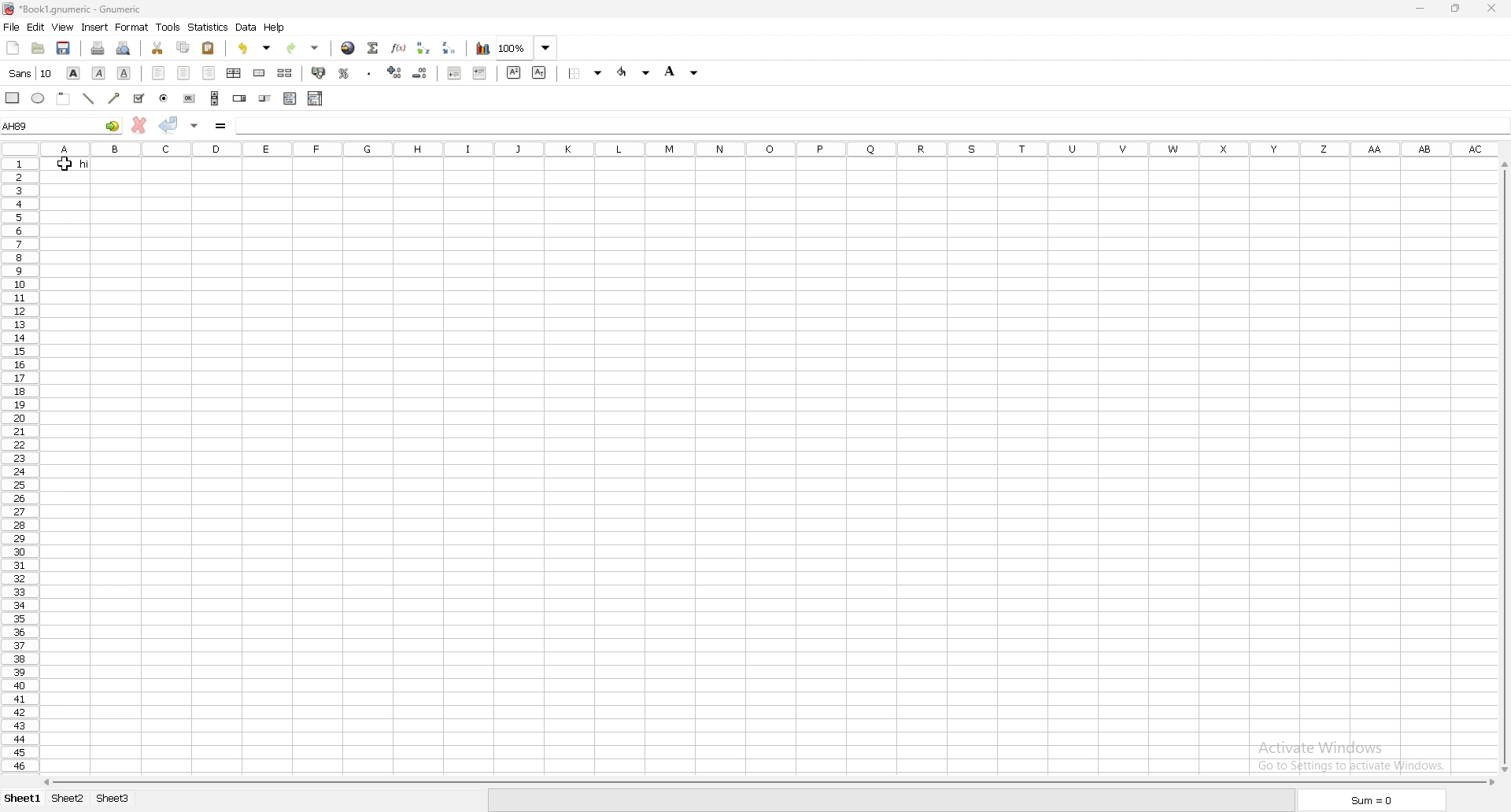 The image size is (1511, 812). What do you see at coordinates (240, 98) in the screenshot?
I see `spin button` at bounding box center [240, 98].